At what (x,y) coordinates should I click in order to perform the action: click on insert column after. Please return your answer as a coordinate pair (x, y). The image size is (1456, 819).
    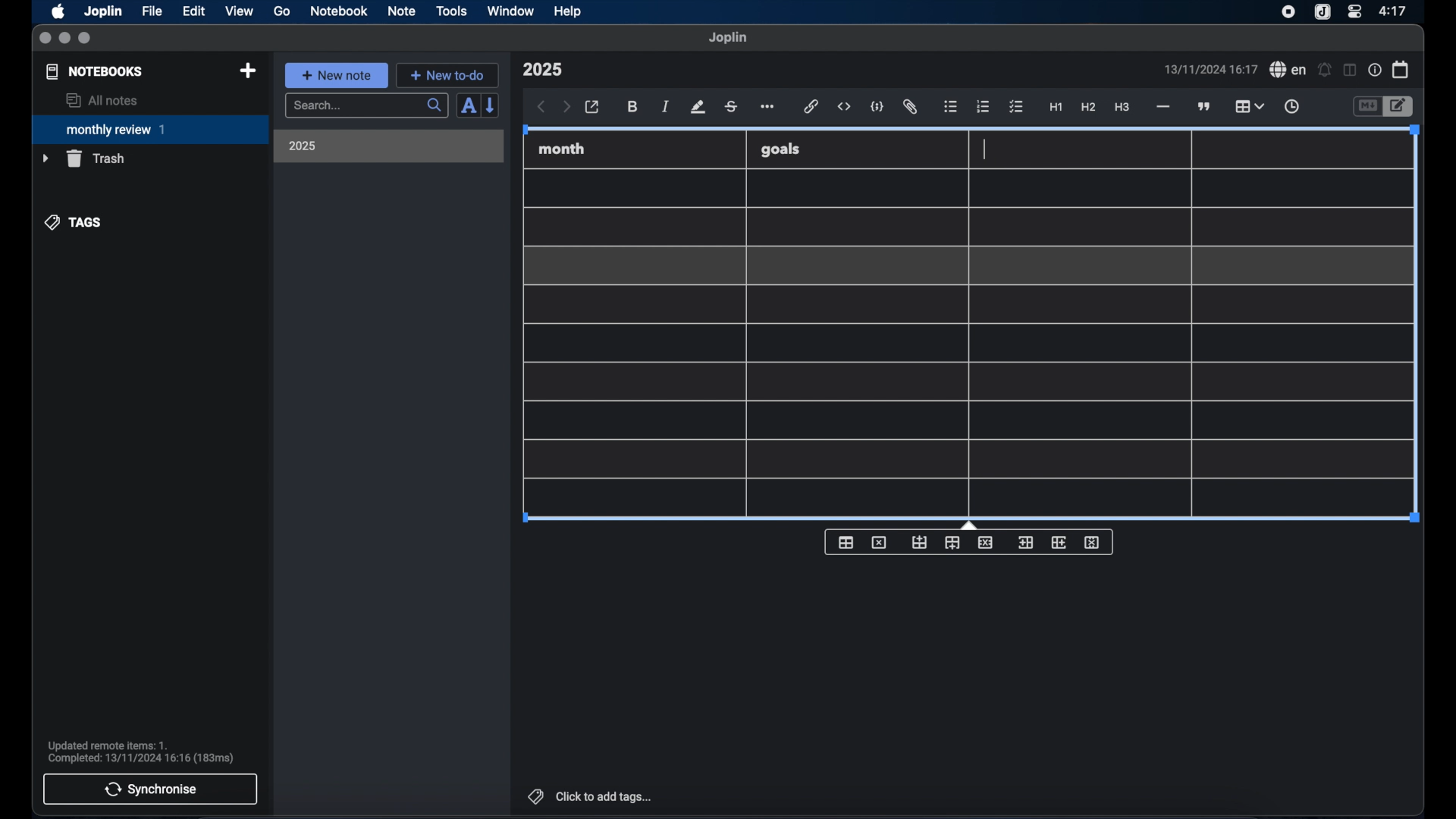
    Looking at the image, I should click on (1059, 542).